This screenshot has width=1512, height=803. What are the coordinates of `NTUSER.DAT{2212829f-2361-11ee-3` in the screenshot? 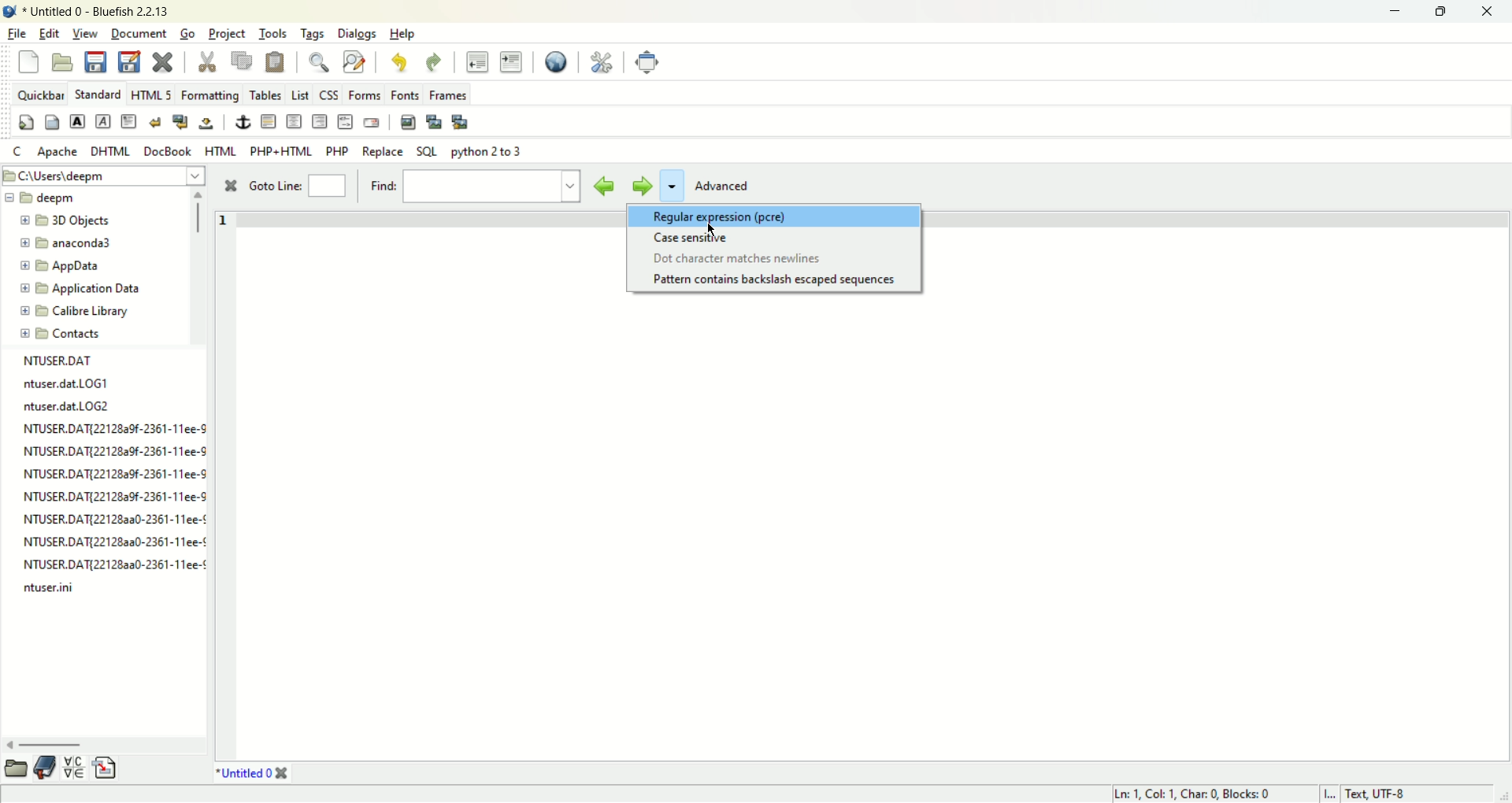 It's located at (113, 474).